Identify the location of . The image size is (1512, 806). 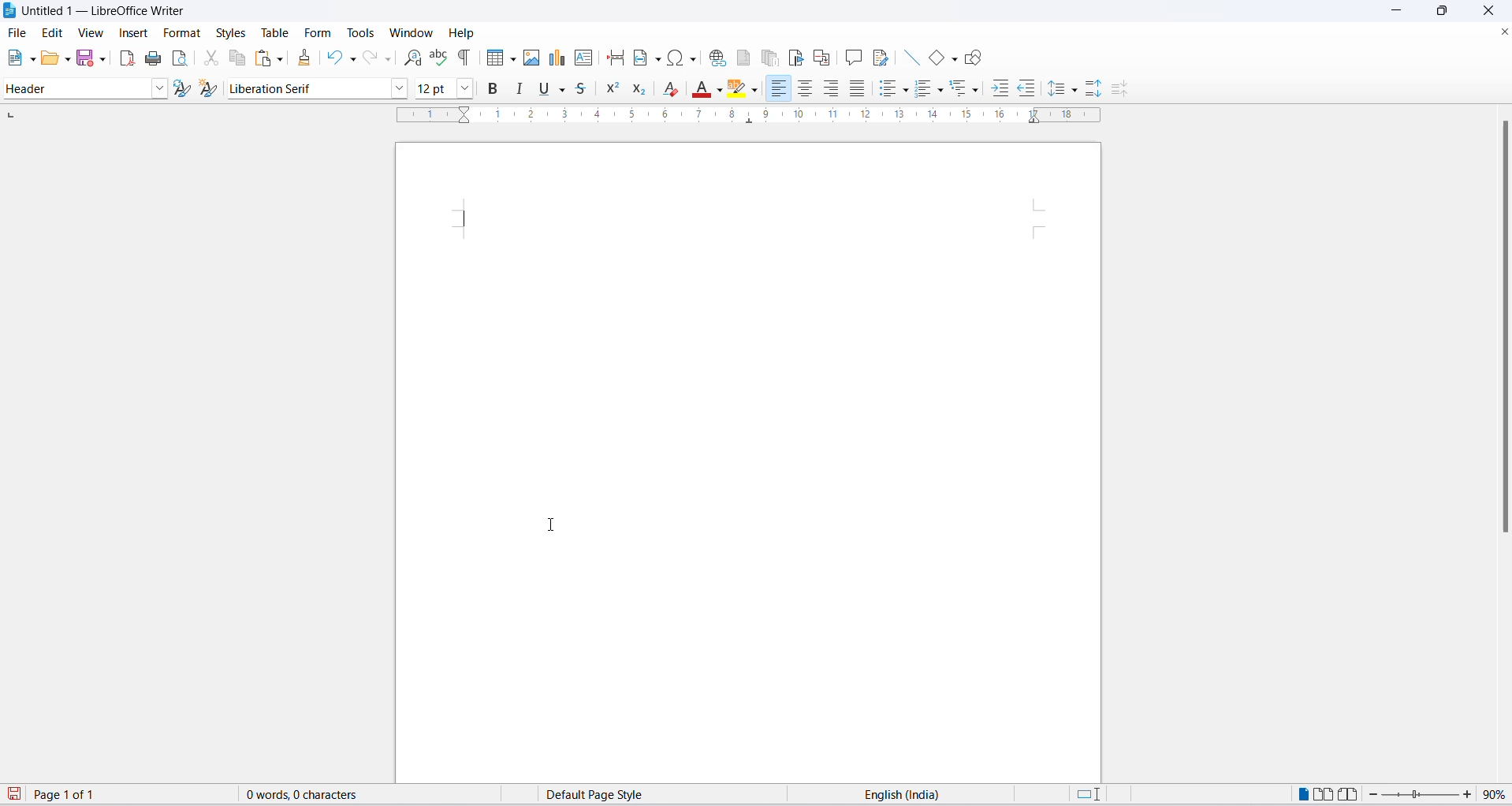
(1492, 9).